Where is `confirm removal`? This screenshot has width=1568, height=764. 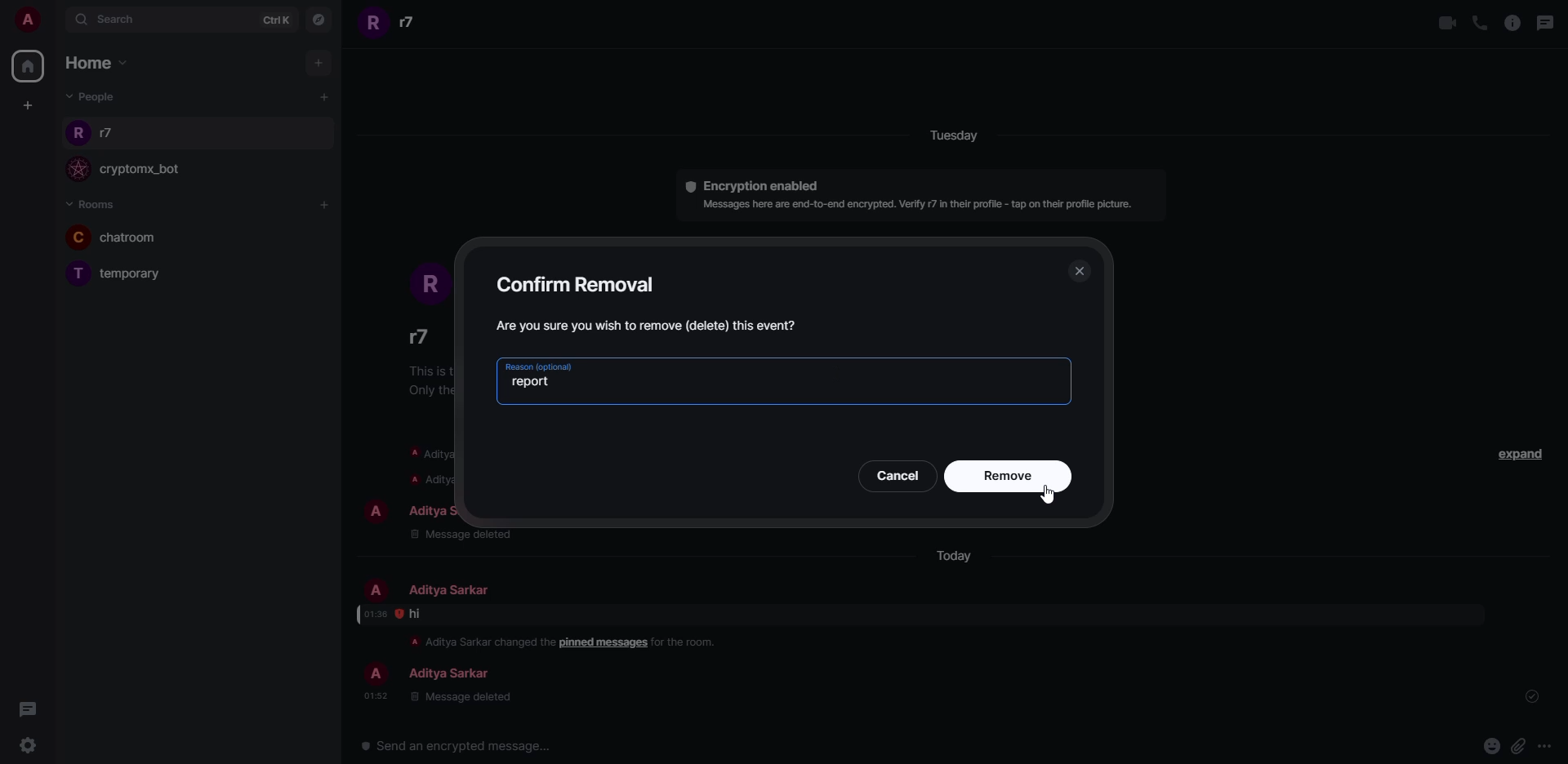
confirm removal is located at coordinates (581, 282).